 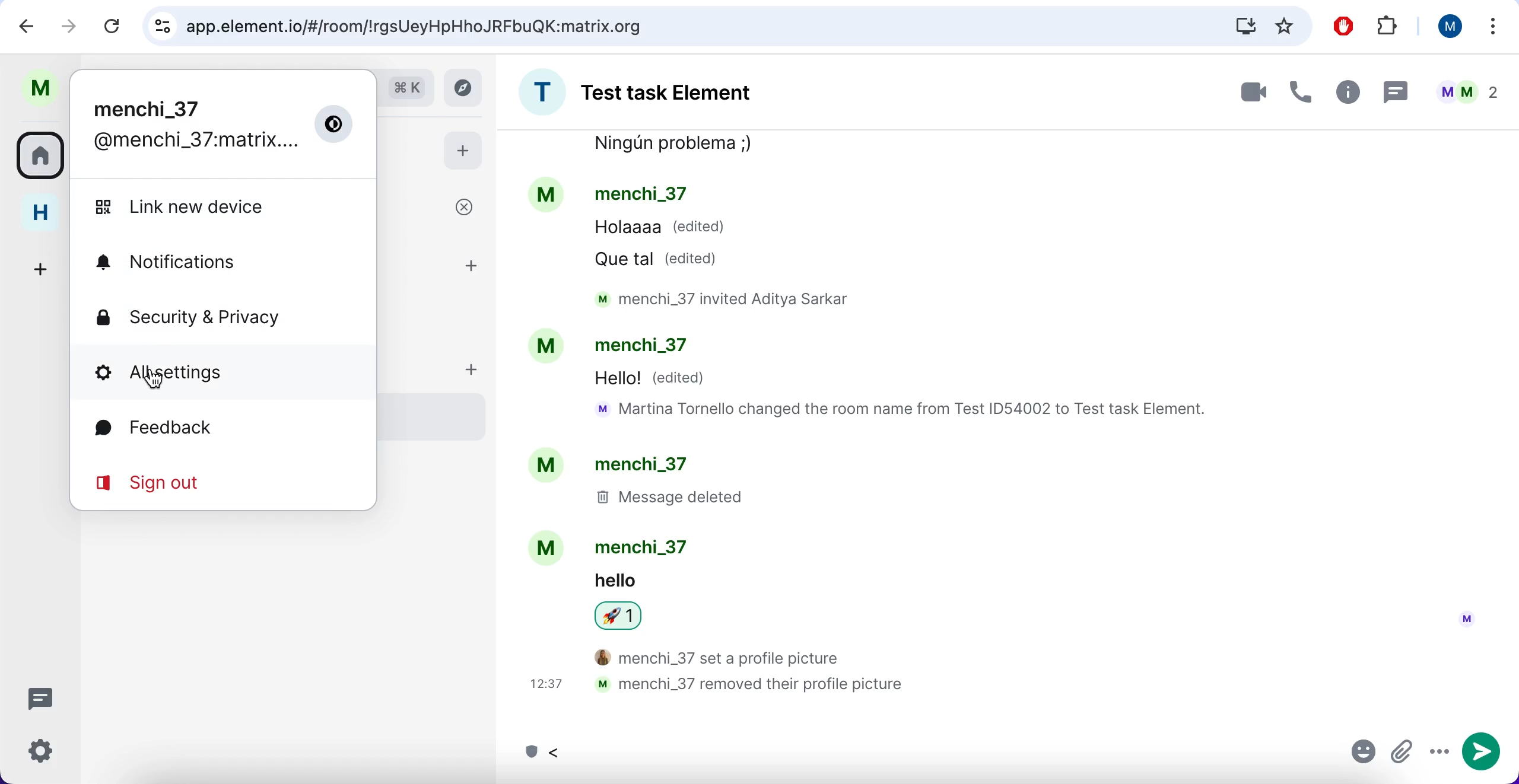 What do you see at coordinates (40, 698) in the screenshot?
I see `threads` at bounding box center [40, 698].